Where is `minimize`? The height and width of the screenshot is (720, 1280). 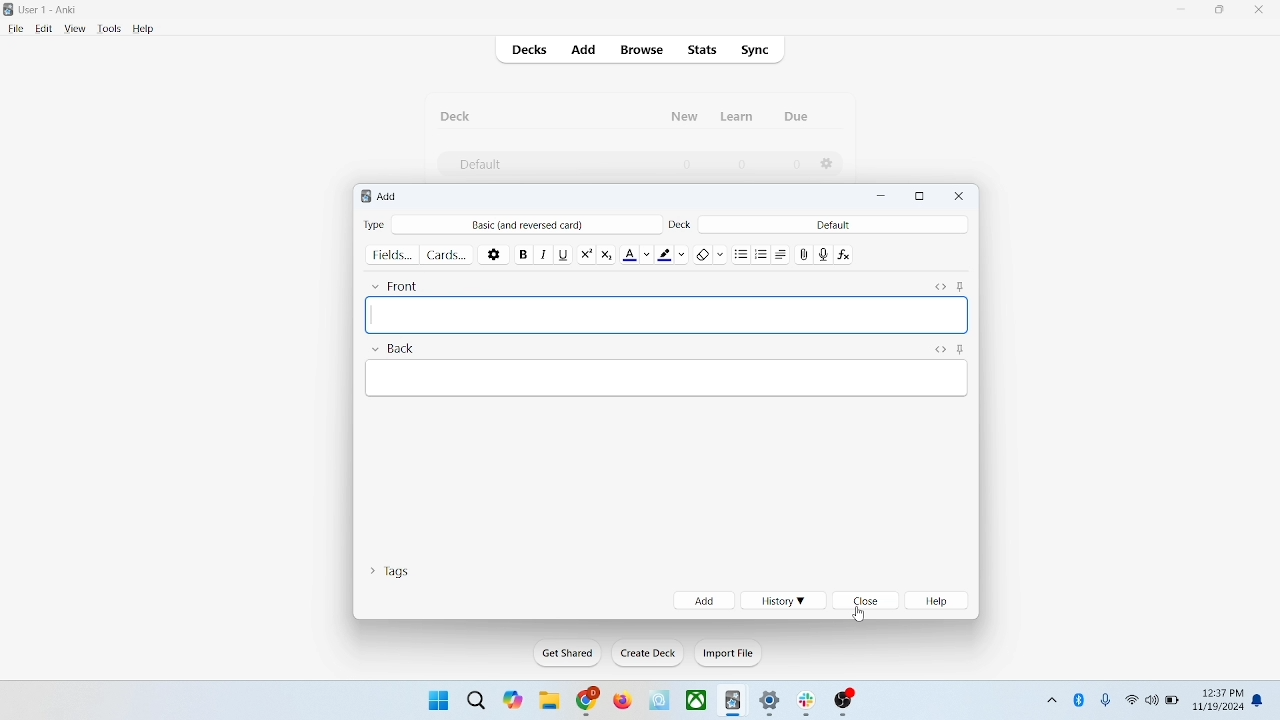 minimize is located at coordinates (1183, 10).